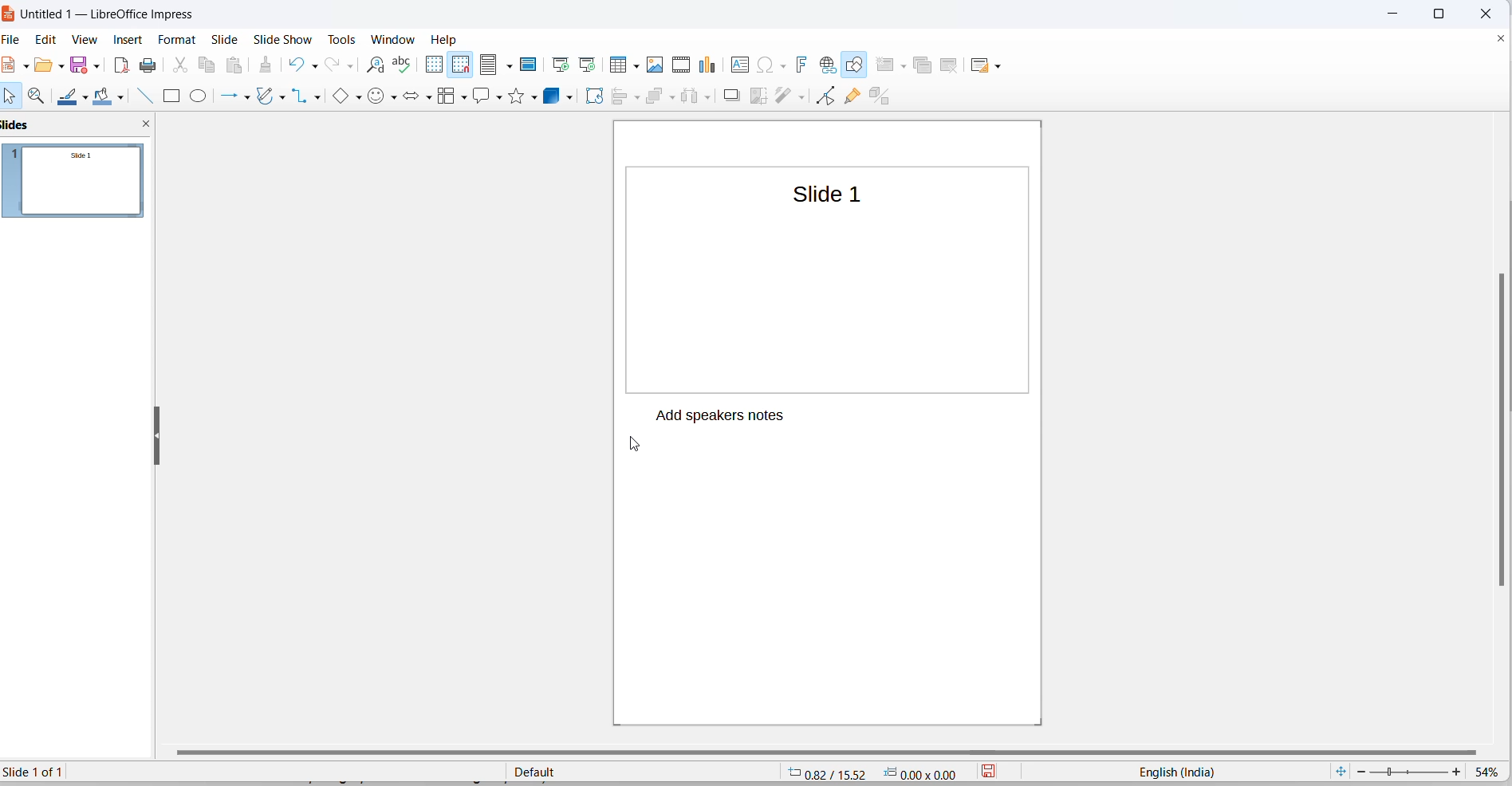 The width and height of the screenshot is (1512, 786). Describe the element at coordinates (636, 99) in the screenshot. I see `align options` at that location.